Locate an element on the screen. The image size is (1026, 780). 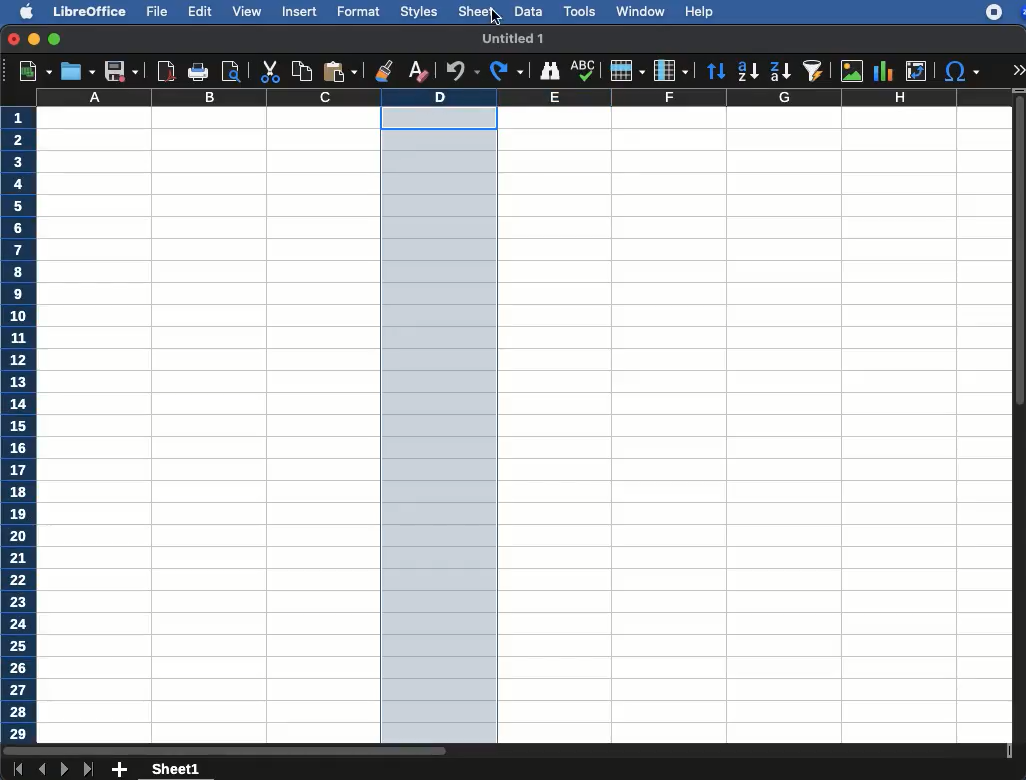
column is located at coordinates (673, 70).